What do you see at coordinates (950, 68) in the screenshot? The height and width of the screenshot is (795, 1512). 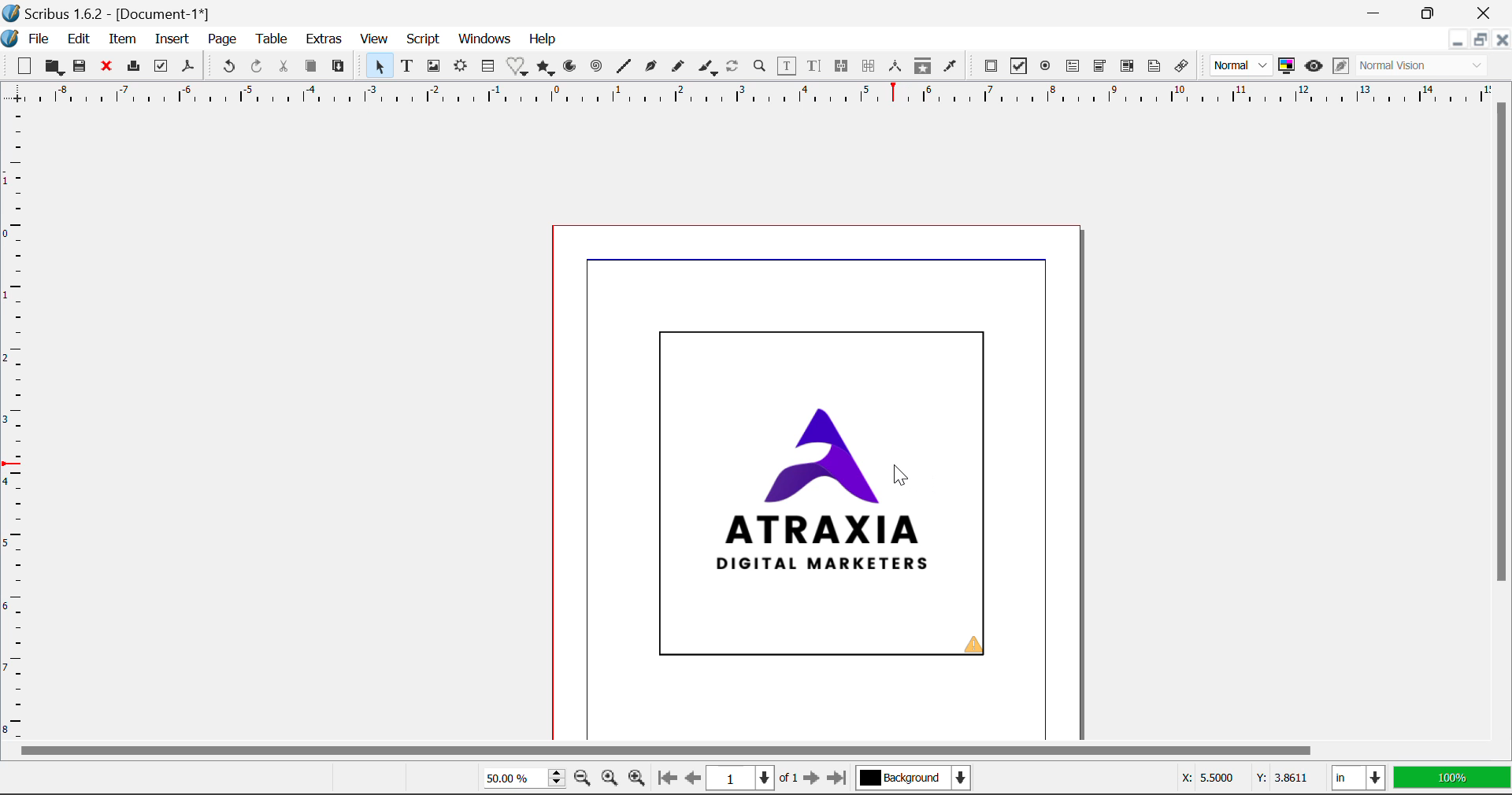 I see `Eyedropper` at bounding box center [950, 68].